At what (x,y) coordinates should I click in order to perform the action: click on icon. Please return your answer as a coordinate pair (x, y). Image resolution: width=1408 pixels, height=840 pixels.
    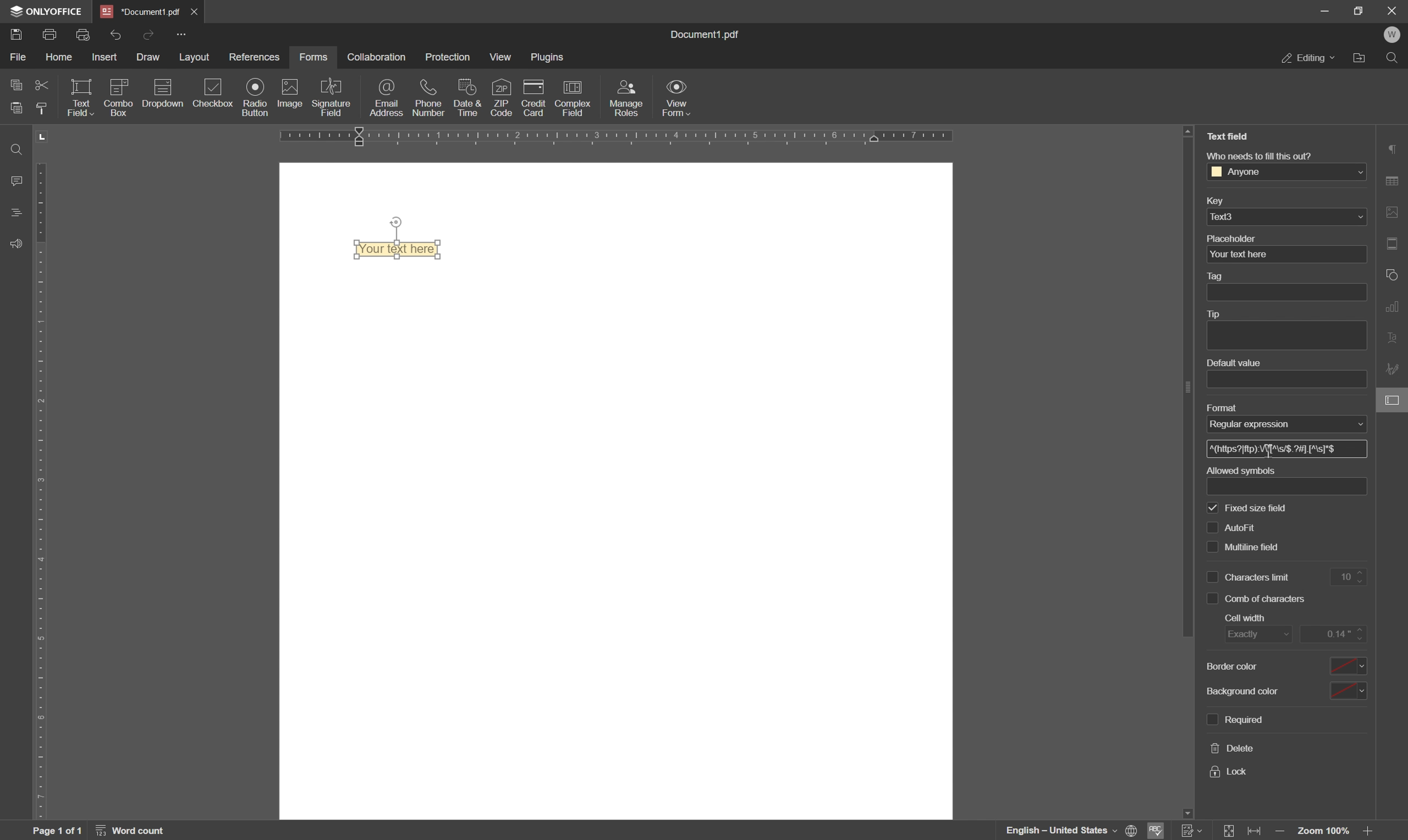
    Looking at the image, I should click on (117, 96).